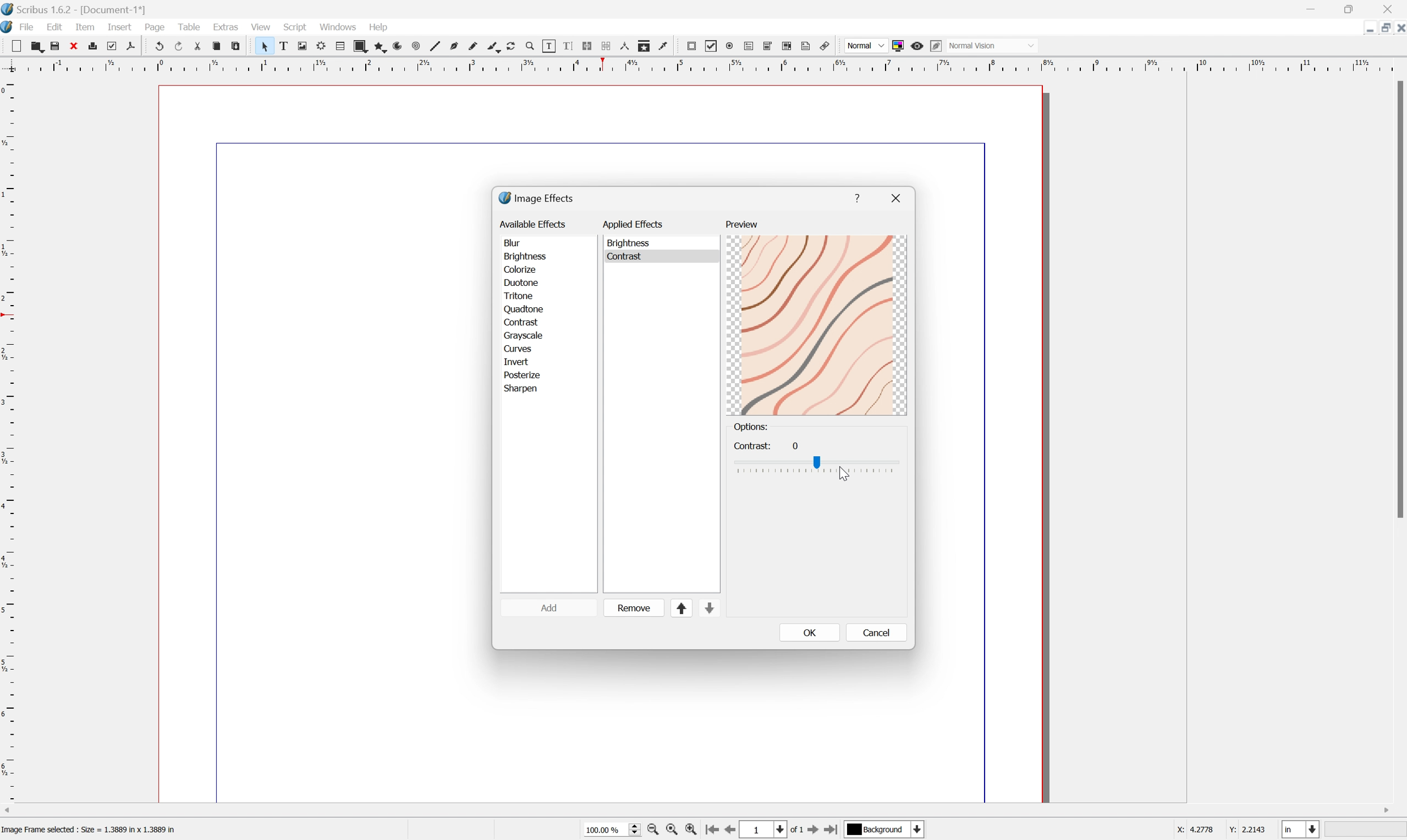 Image resolution: width=1407 pixels, height=840 pixels. Describe the element at coordinates (53, 27) in the screenshot. I see `Edit` at that location.